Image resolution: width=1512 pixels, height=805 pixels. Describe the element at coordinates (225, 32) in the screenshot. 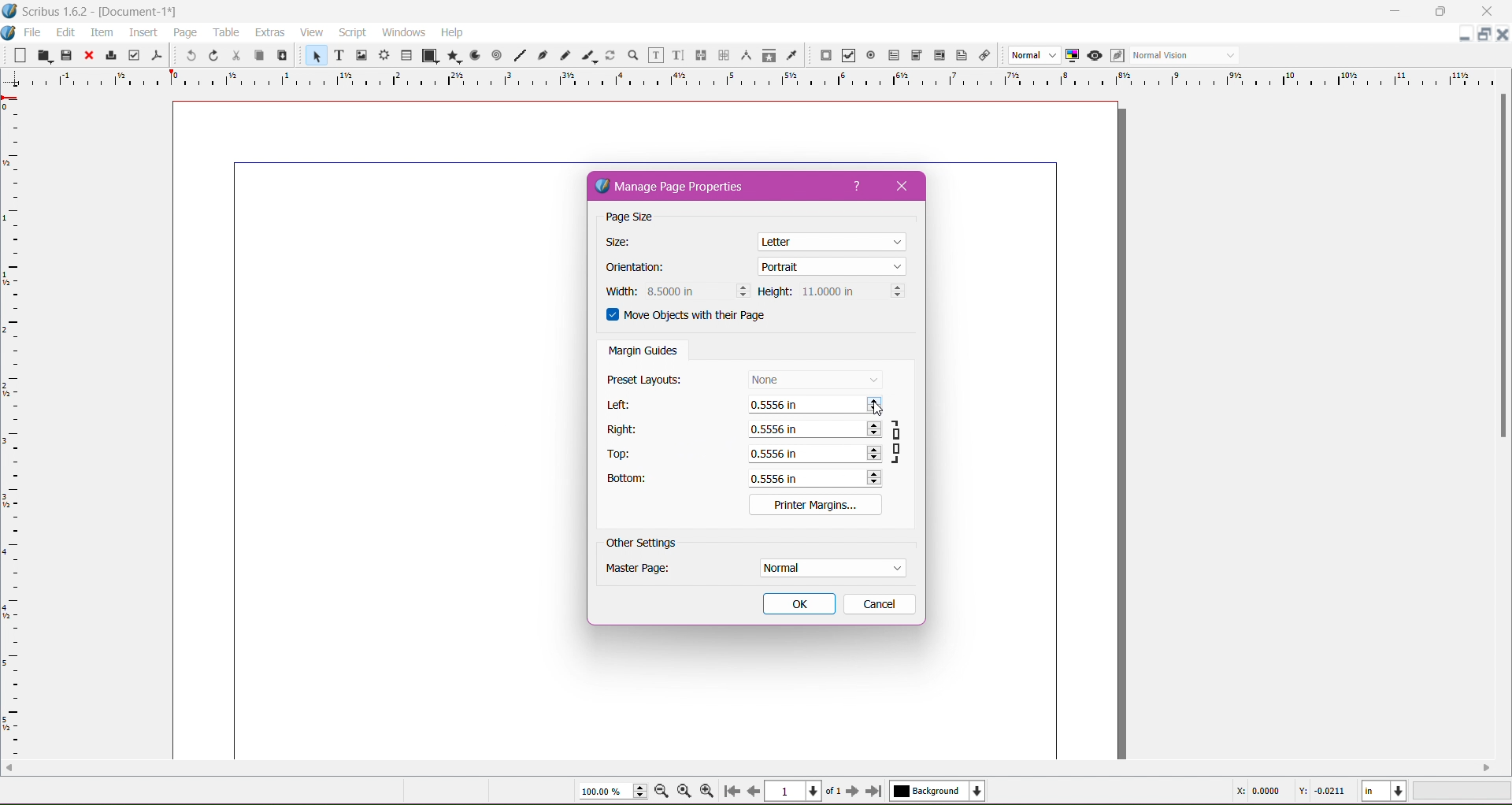

I see `Table` at that location.